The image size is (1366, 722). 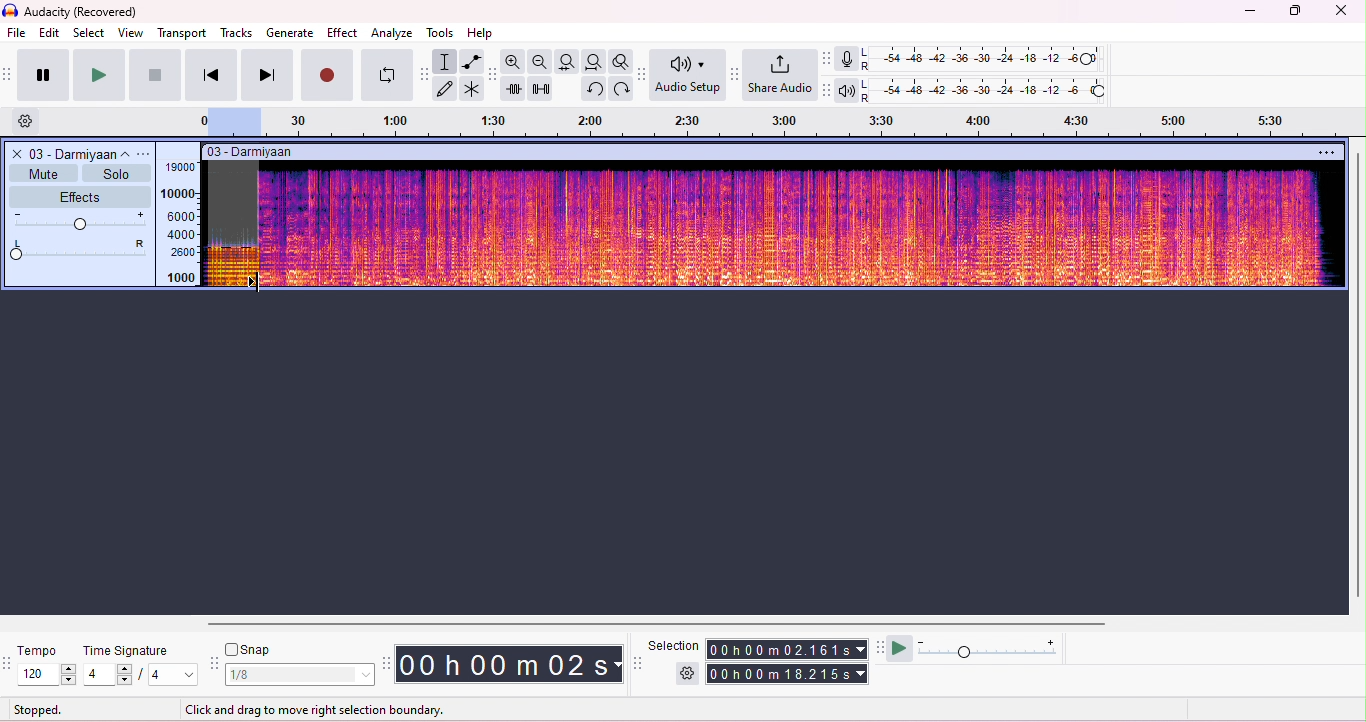 I want to click on tempo tools, so click(x=9, y=665).